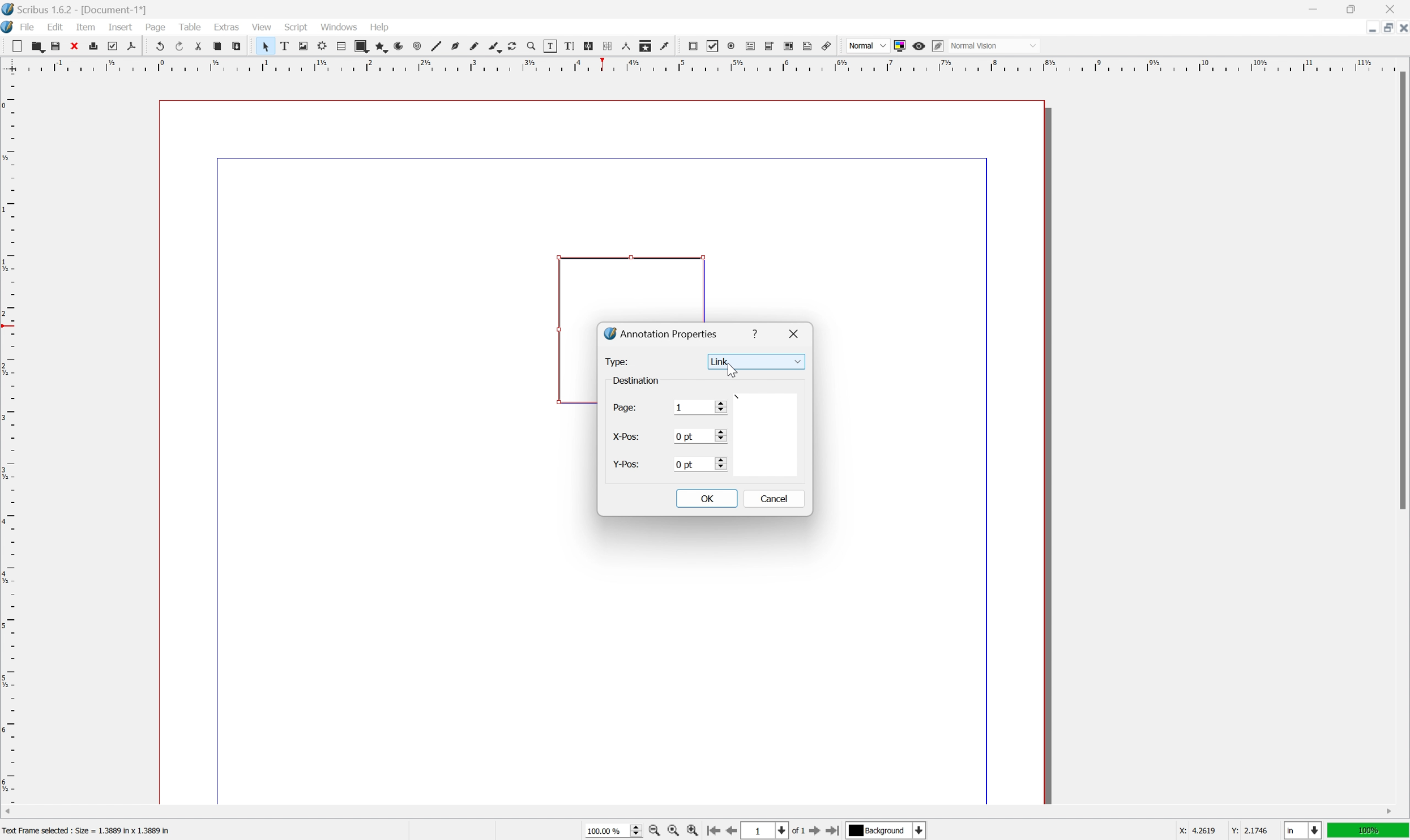 The height and width of the screenshot is (840, 1410). I want to click on restore down, so click(1383, 28).